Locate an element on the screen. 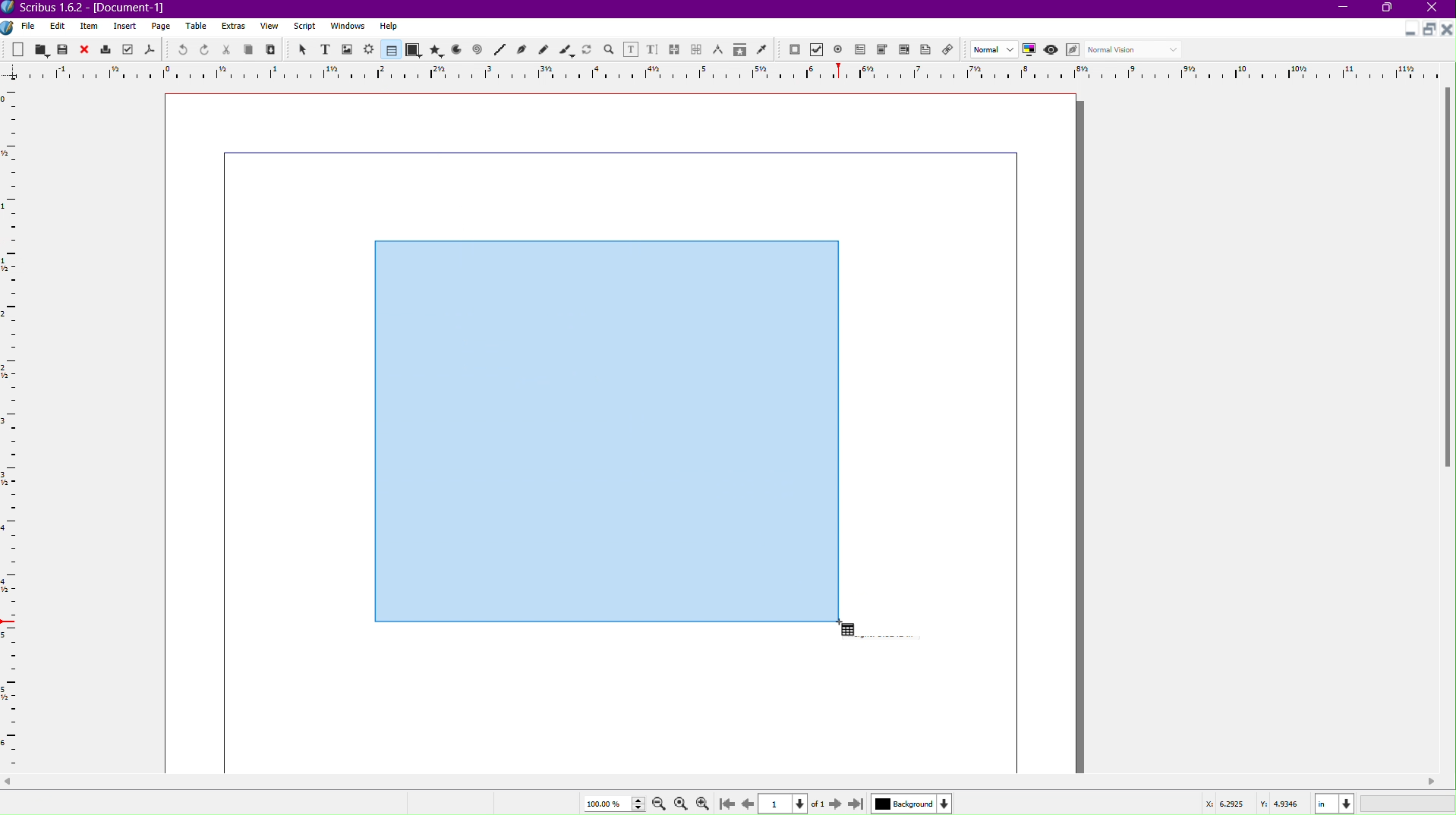 This screenshot has height=815, width=1456. Save as PDF is located at coordinates (149, 50).